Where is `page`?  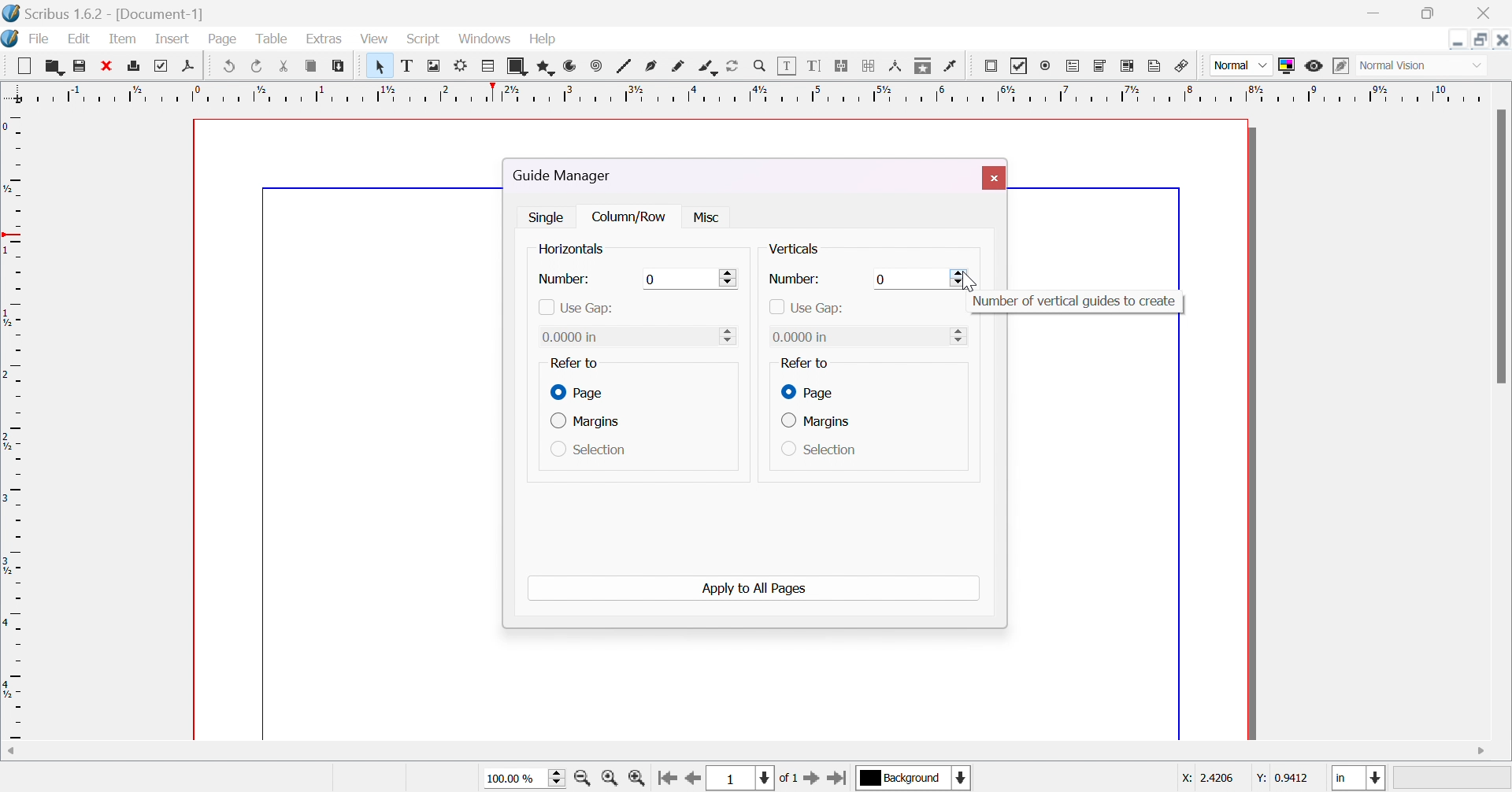 page is located at coordinates (223, 36).